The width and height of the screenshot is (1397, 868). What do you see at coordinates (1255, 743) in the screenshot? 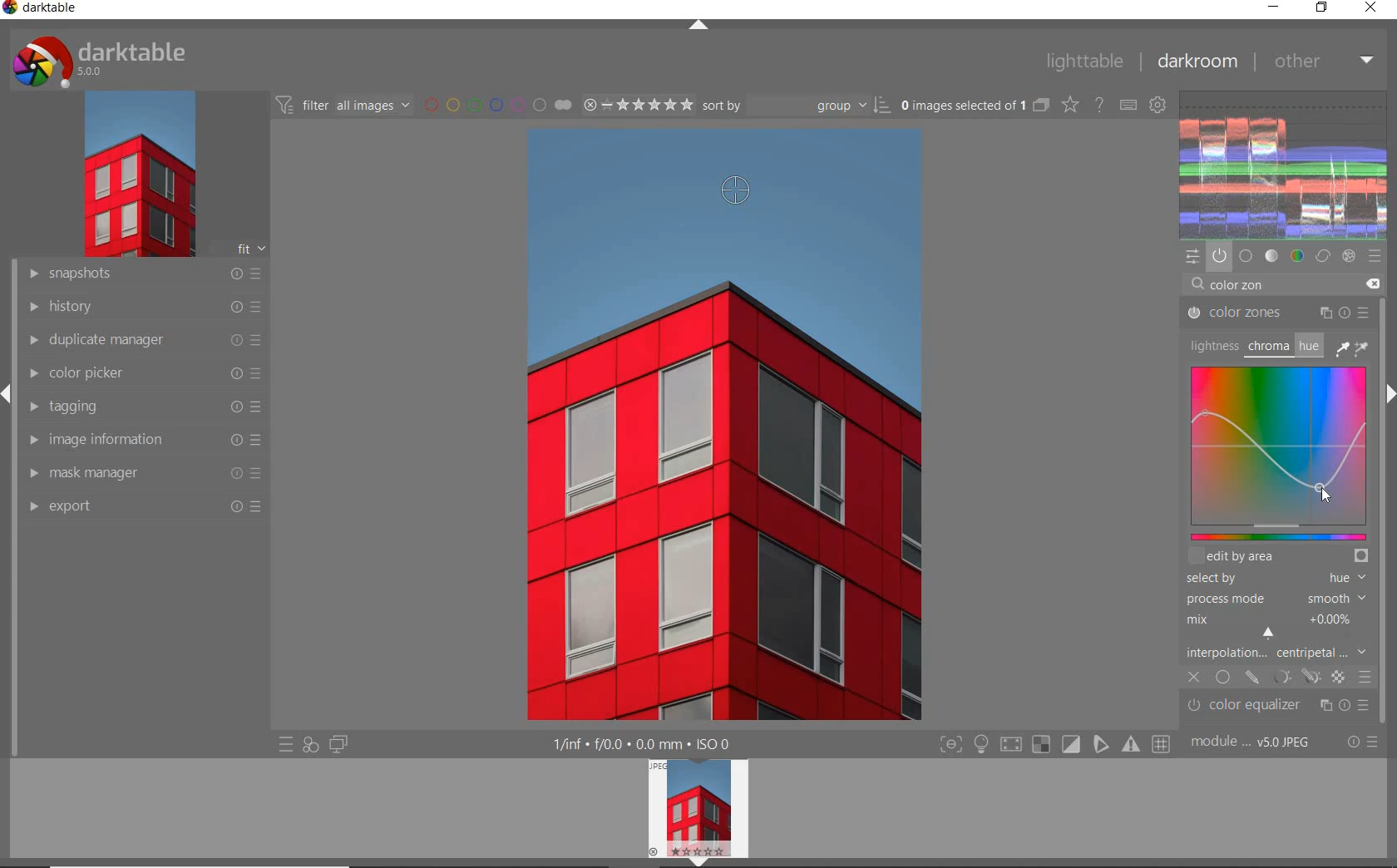
I see `module order` at bounding box center [1255, 743].